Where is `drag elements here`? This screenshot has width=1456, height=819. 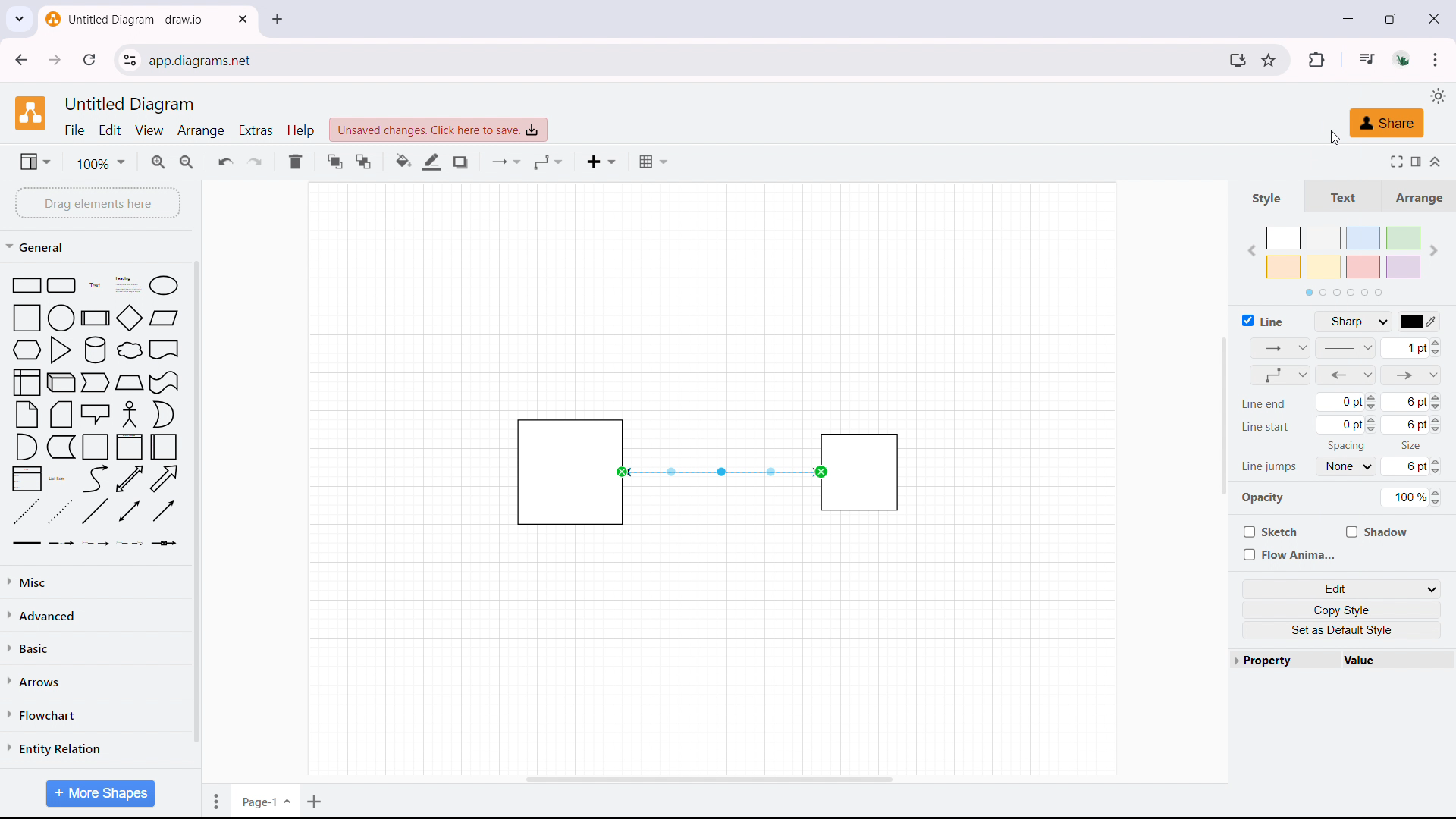
drag elements here is located at coordinates (97, 202).